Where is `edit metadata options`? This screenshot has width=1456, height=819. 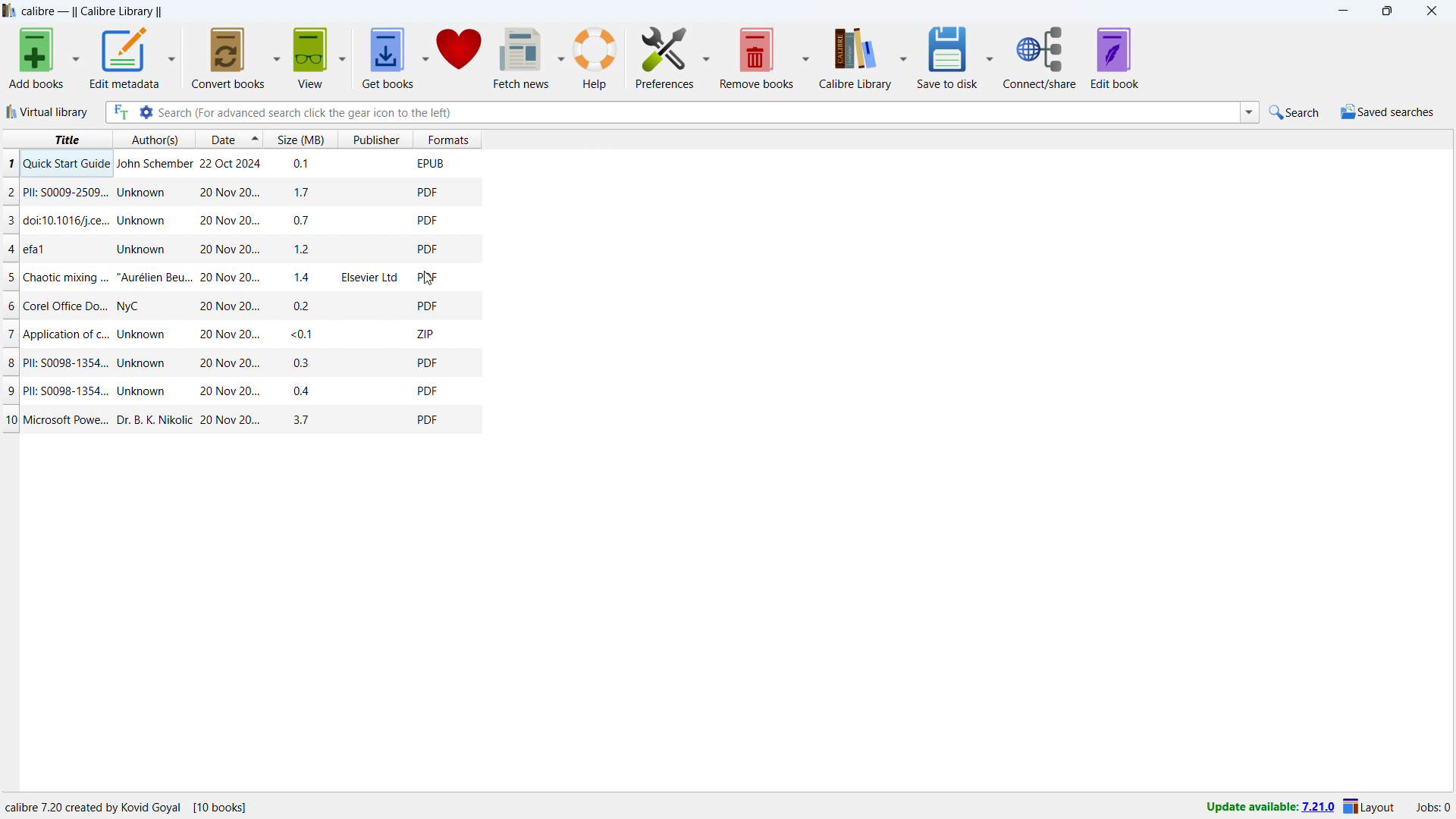
edit metadata options is located at coordinates (171, 56).